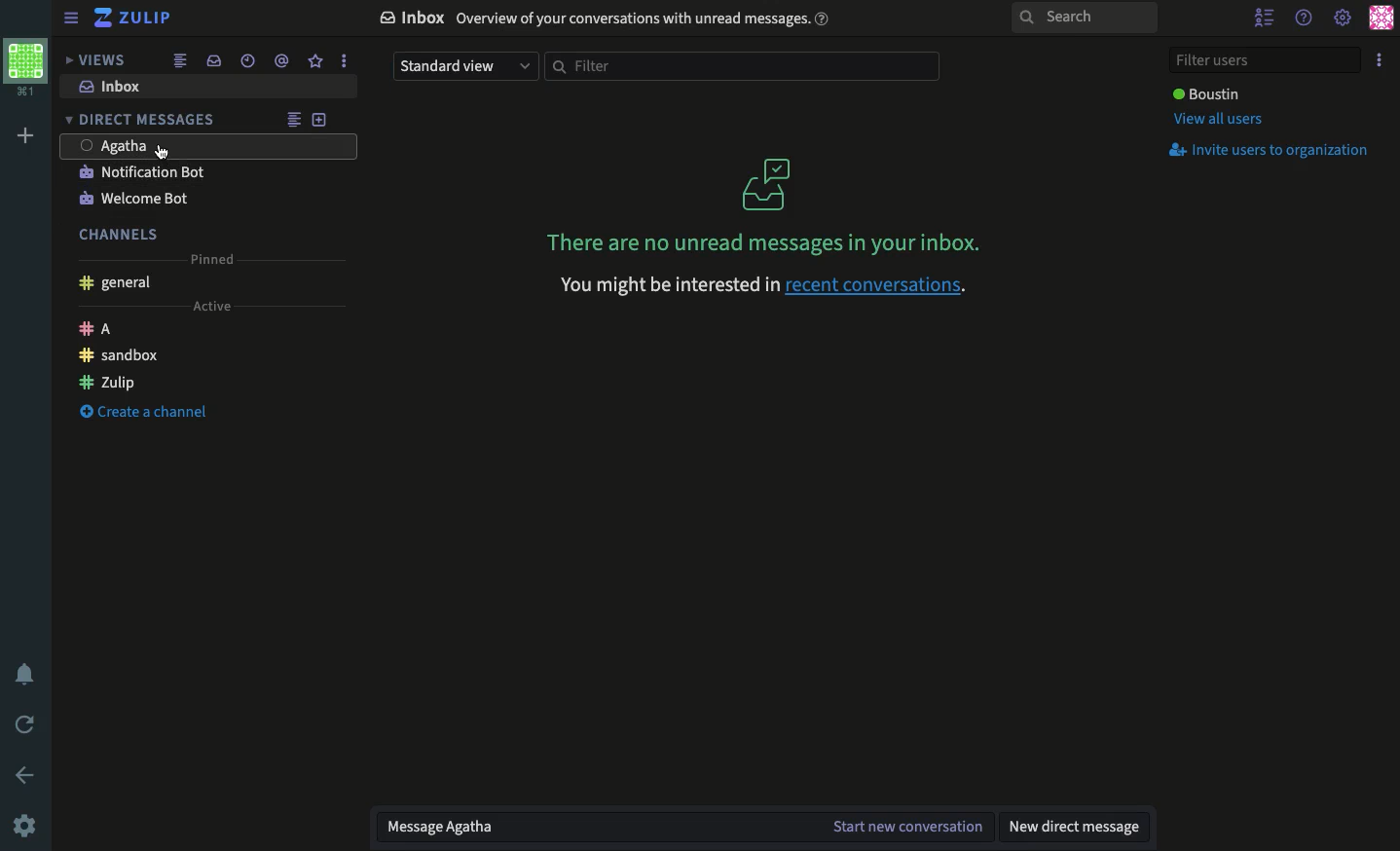 The height and width of the screenshot is (851, 1400). Describe the element at coordinates (747, 69) in the screenshot. I see `Filter` at that location.